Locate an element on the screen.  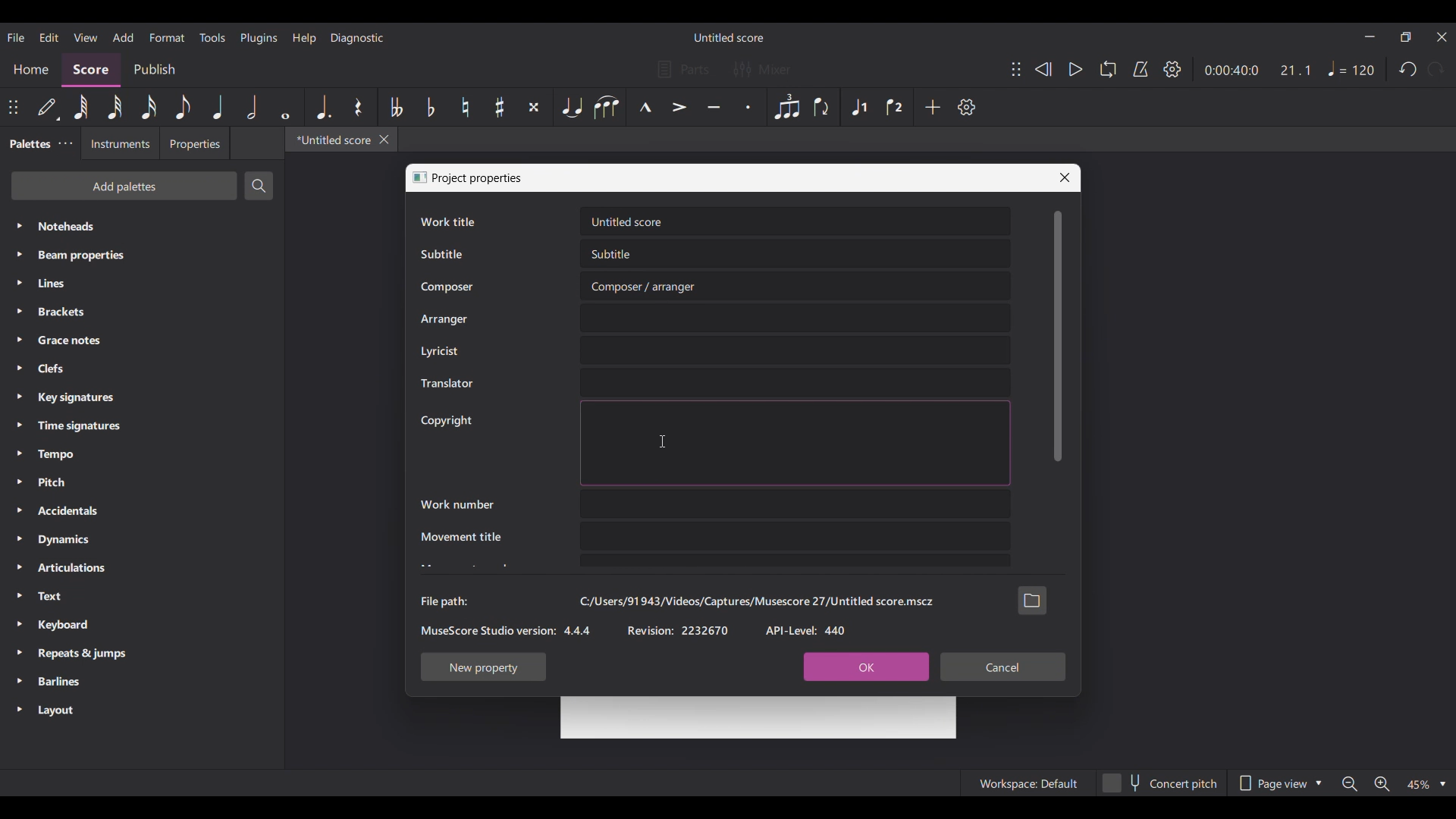
Text box for Lyricist is located at coordinates (795, 350).